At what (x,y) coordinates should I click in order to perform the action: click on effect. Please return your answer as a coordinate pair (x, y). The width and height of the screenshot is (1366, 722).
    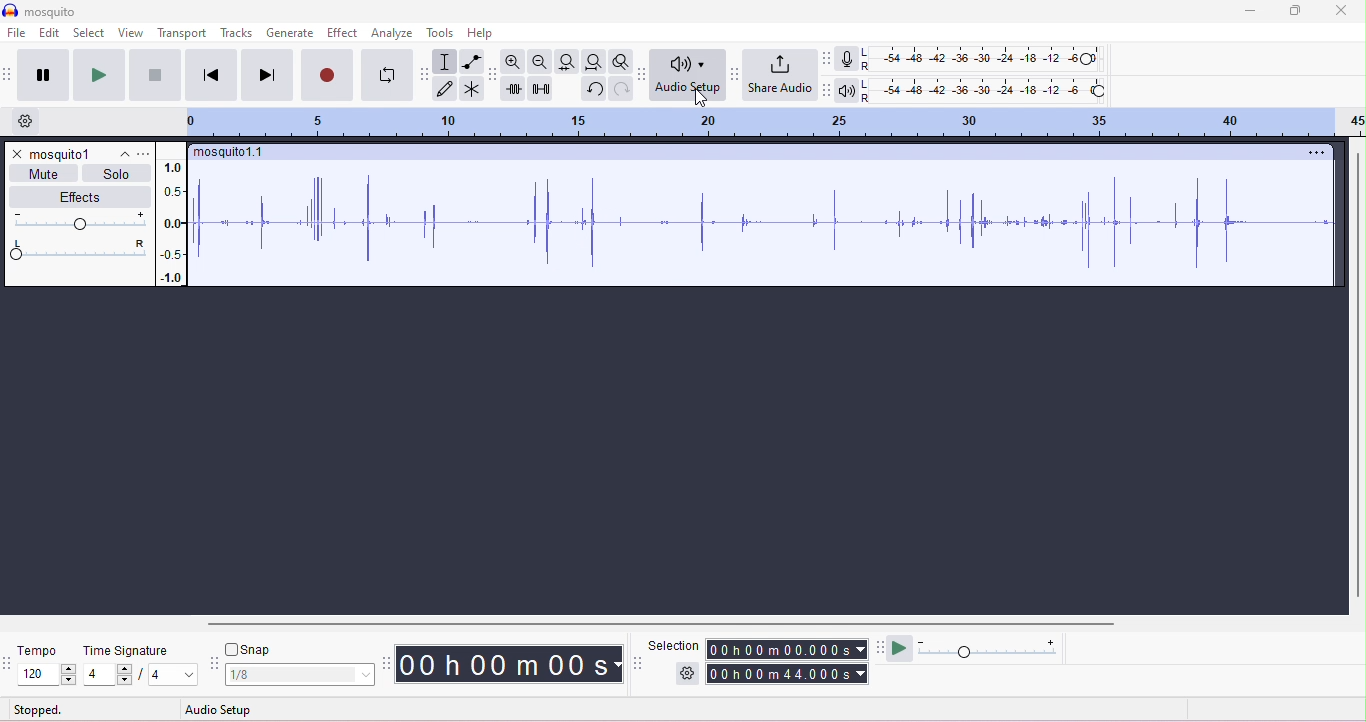
    Looking at the image, I should click on (343, 33).